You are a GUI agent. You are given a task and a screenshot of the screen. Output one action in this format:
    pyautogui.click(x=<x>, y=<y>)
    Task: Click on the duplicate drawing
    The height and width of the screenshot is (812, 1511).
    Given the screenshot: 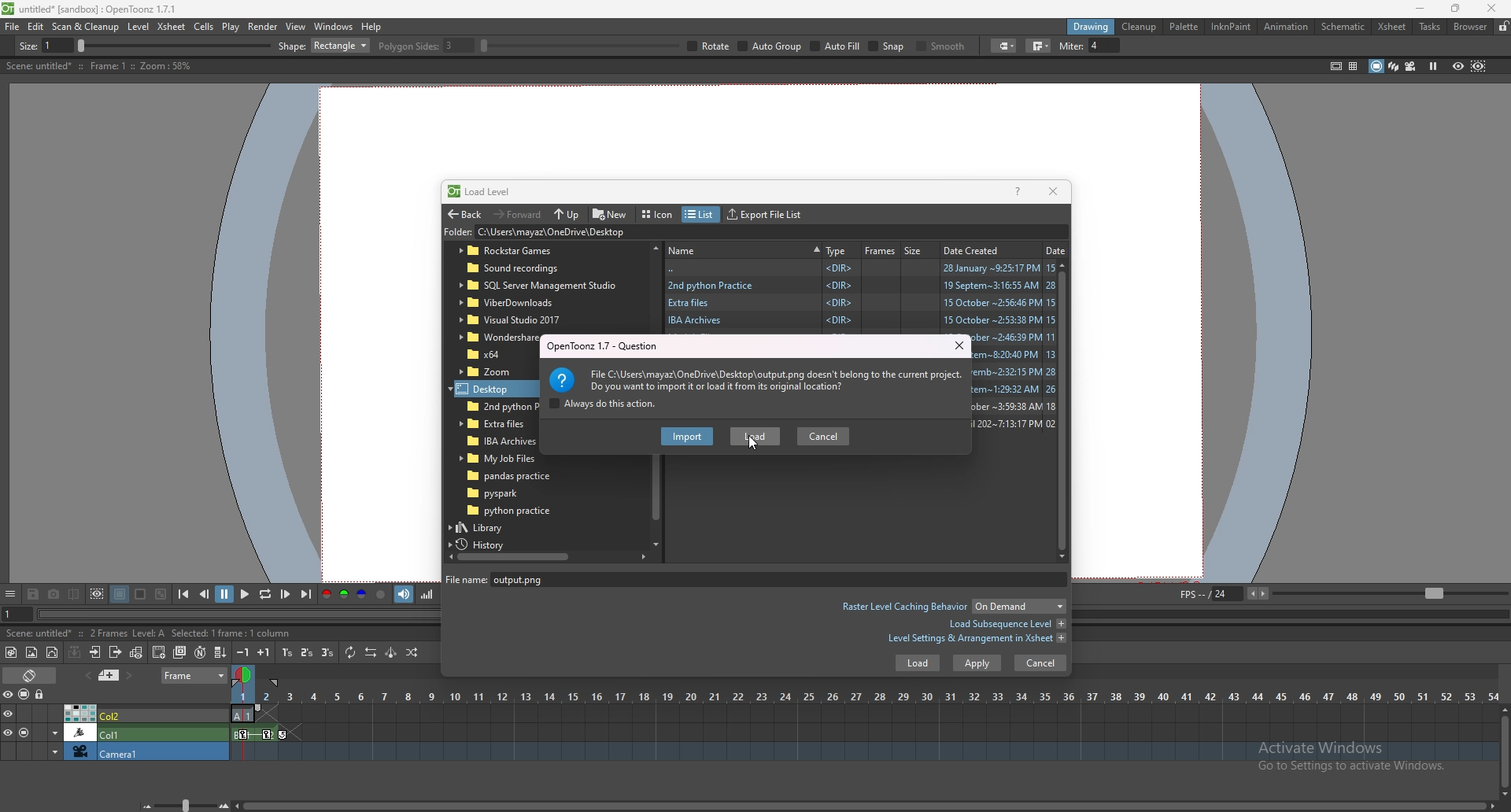 What is the action you would take?
    pyautogui.click(x=181, y=652)
    